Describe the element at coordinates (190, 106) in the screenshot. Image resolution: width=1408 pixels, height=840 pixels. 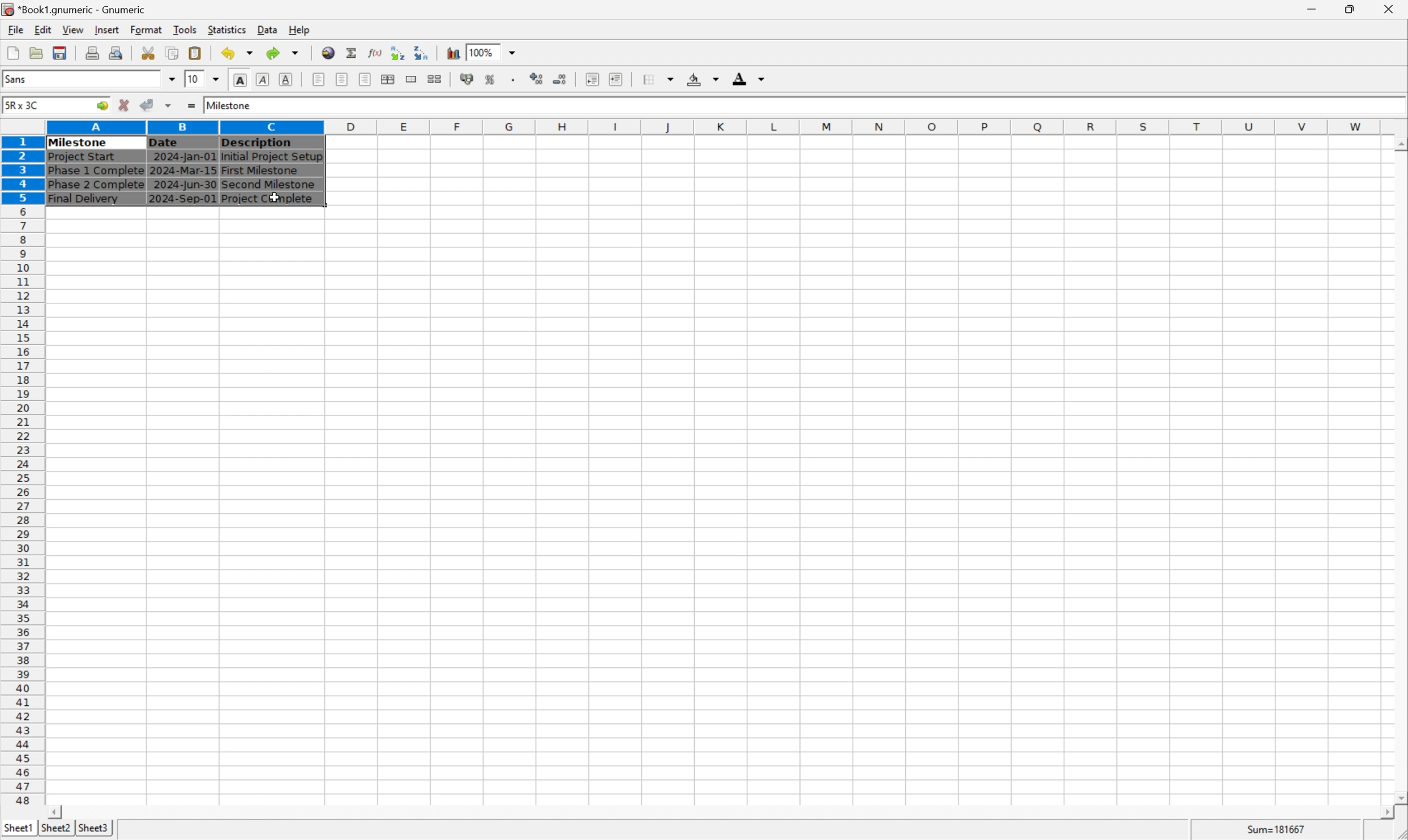
I see `enter formula` at that location.